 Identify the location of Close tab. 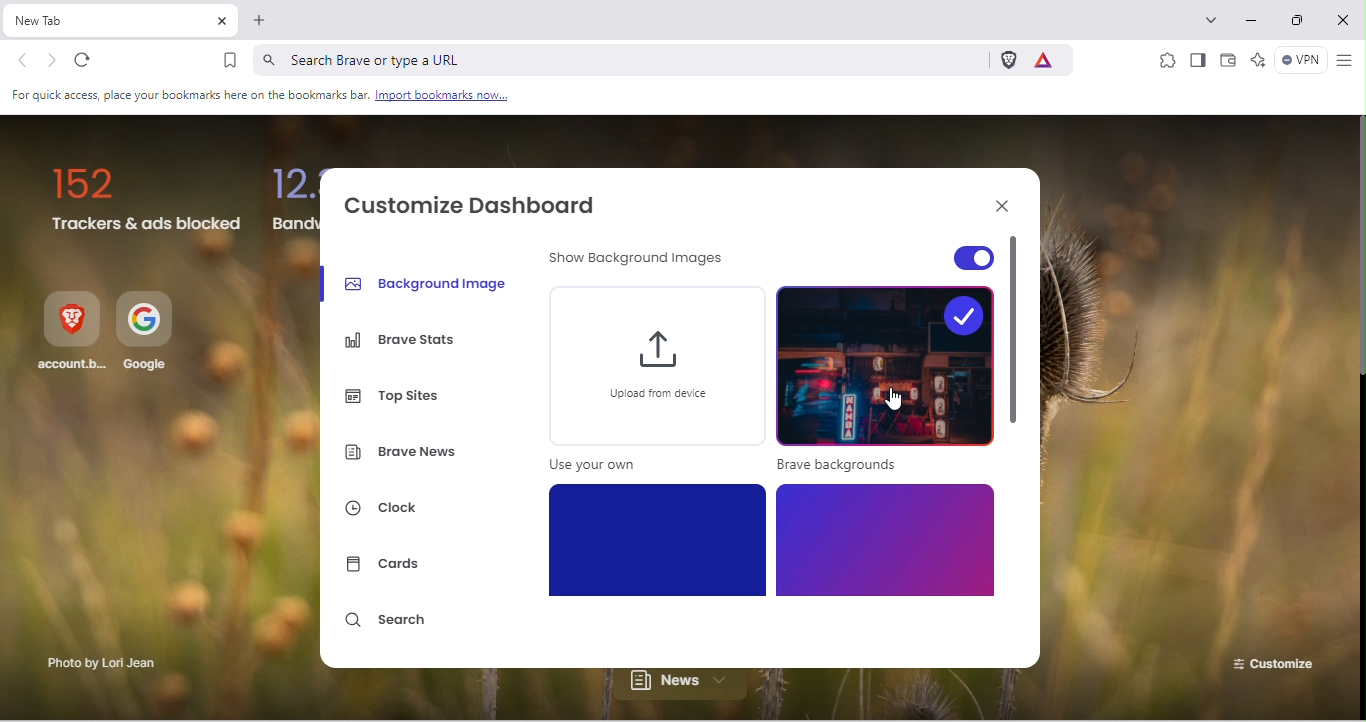
(221, 22).